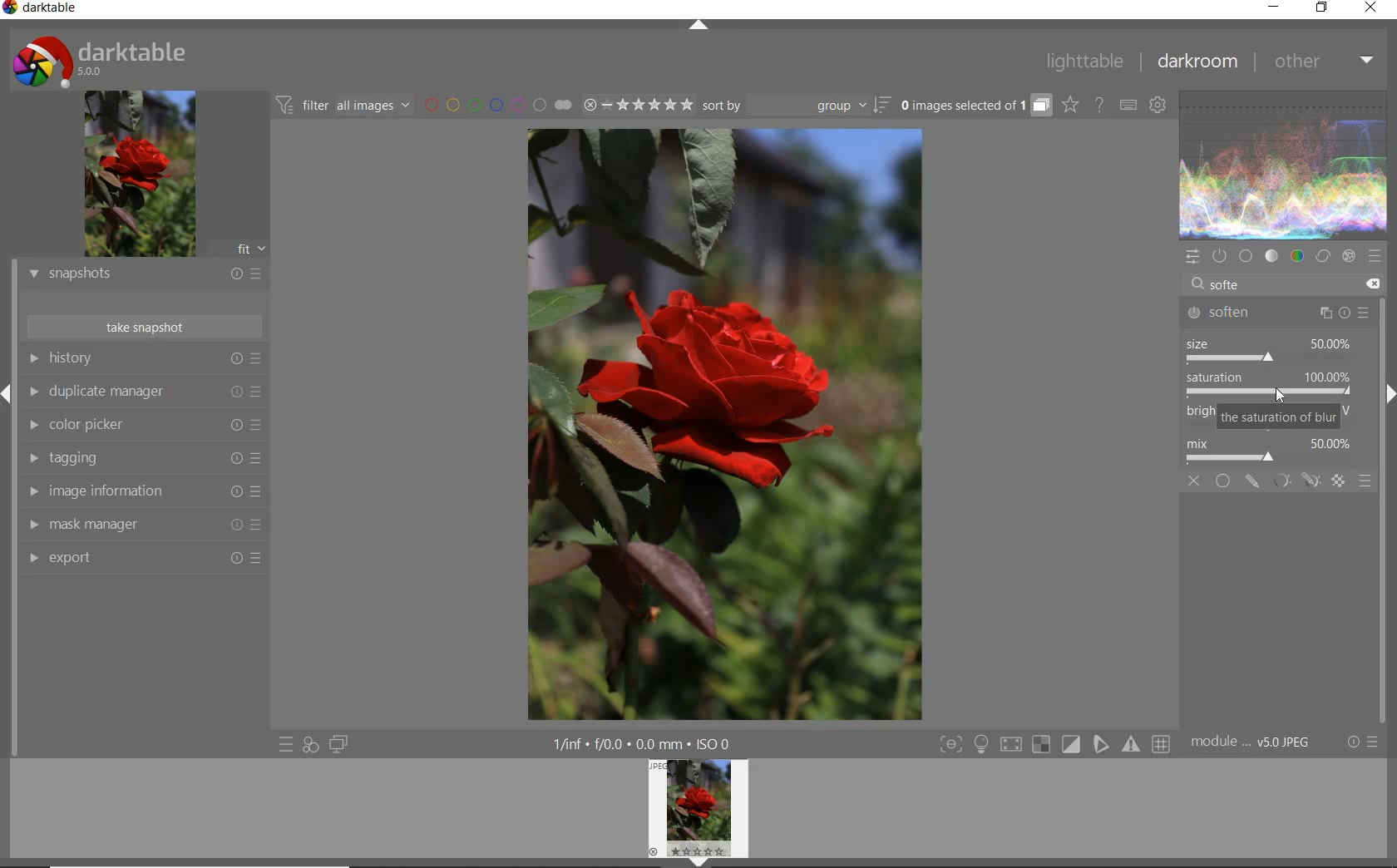 Image resolution: width=1397 pixels, height=868 pixels. What do you see at coordinates (1382, 452) in the screenshot?
I see `scrollbar` at bounding box center [1382, 452].